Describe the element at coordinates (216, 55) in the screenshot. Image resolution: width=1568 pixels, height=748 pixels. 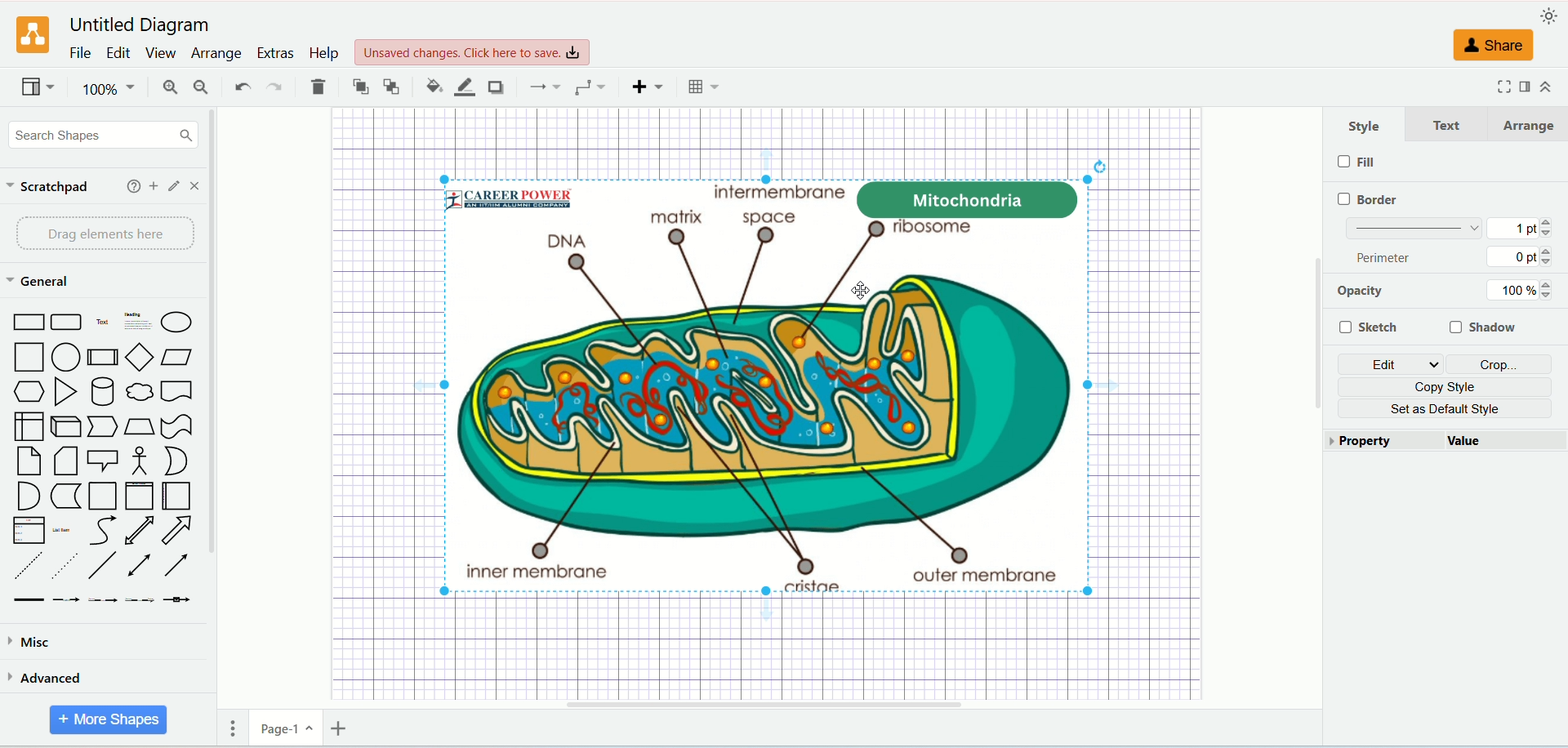
I see `arrange` at that location.